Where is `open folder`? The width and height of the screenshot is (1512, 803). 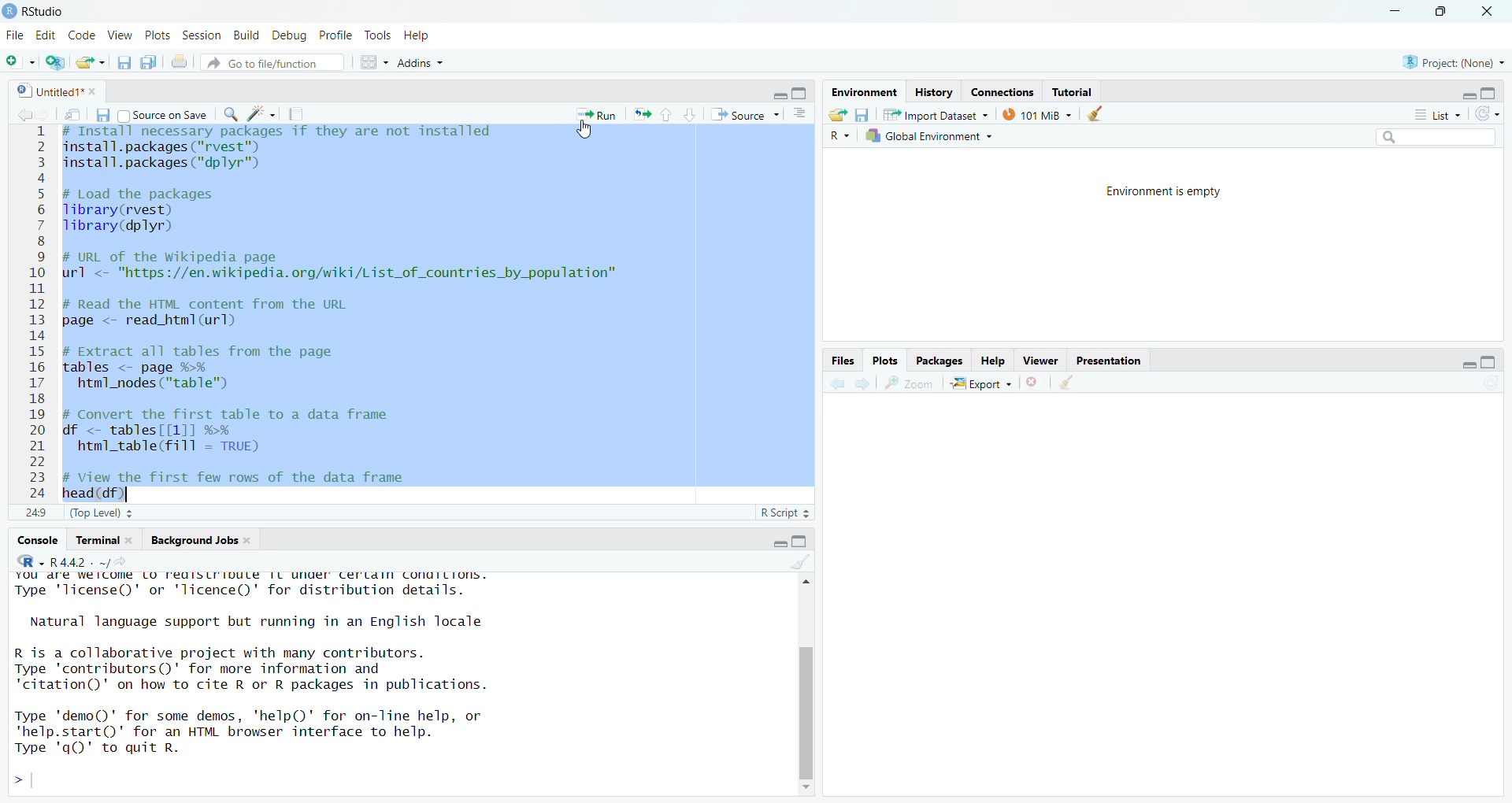
open folder is located at coordinates (839, 114).